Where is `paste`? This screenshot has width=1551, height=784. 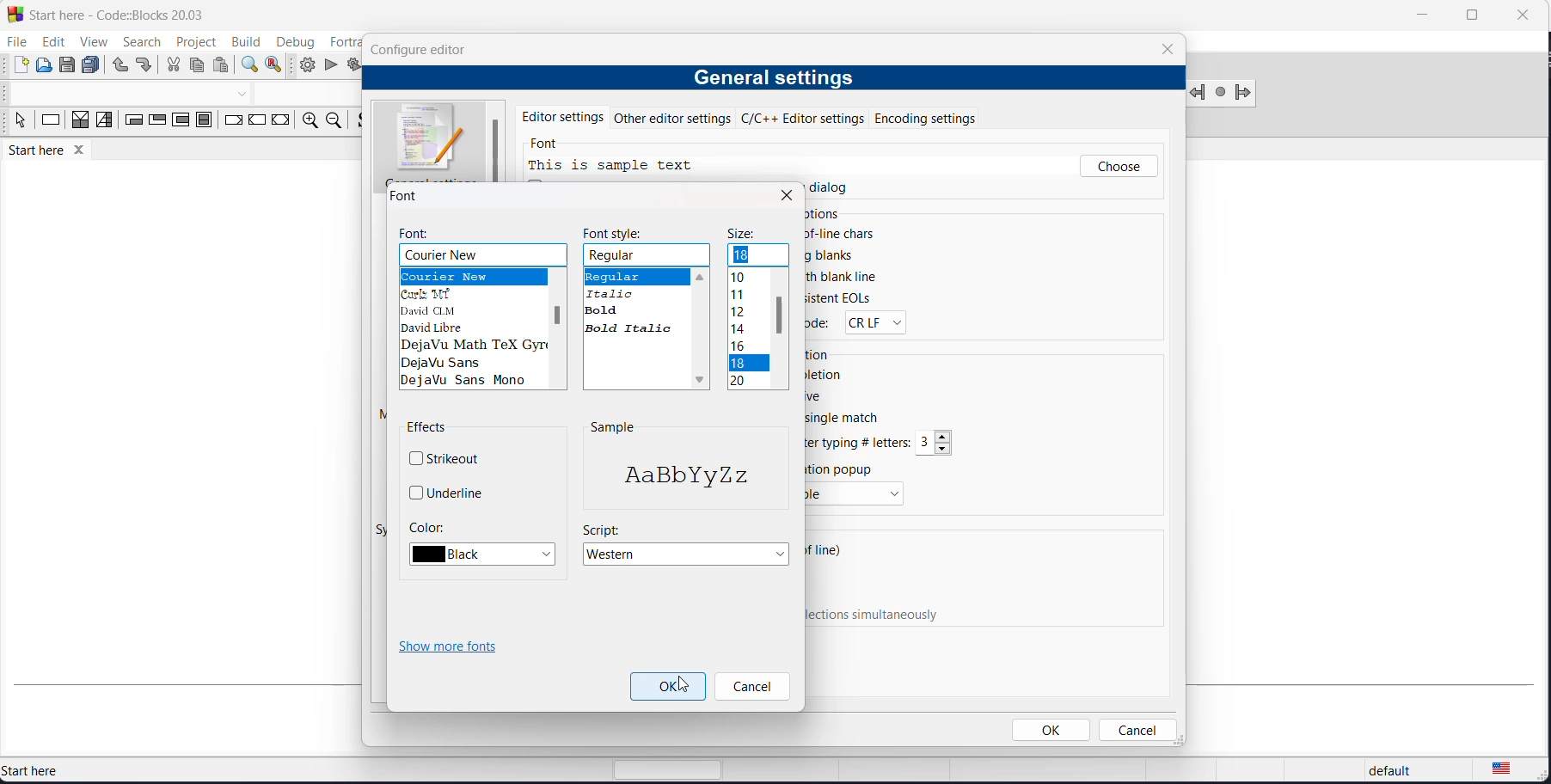 paste is located at coordinates (222, 66).